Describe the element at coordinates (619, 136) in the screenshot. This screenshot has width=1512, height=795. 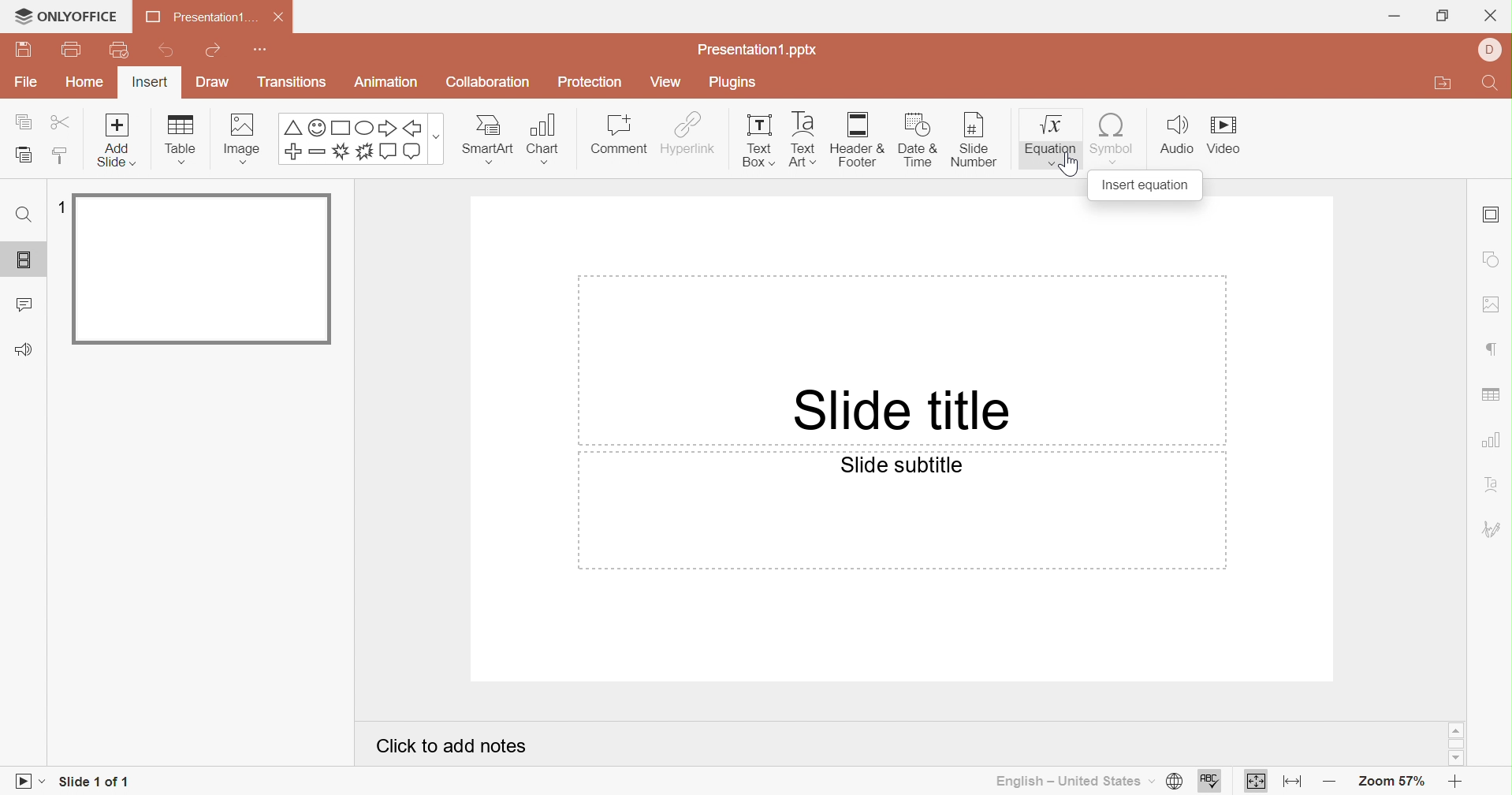
I see `Comment` at that location.